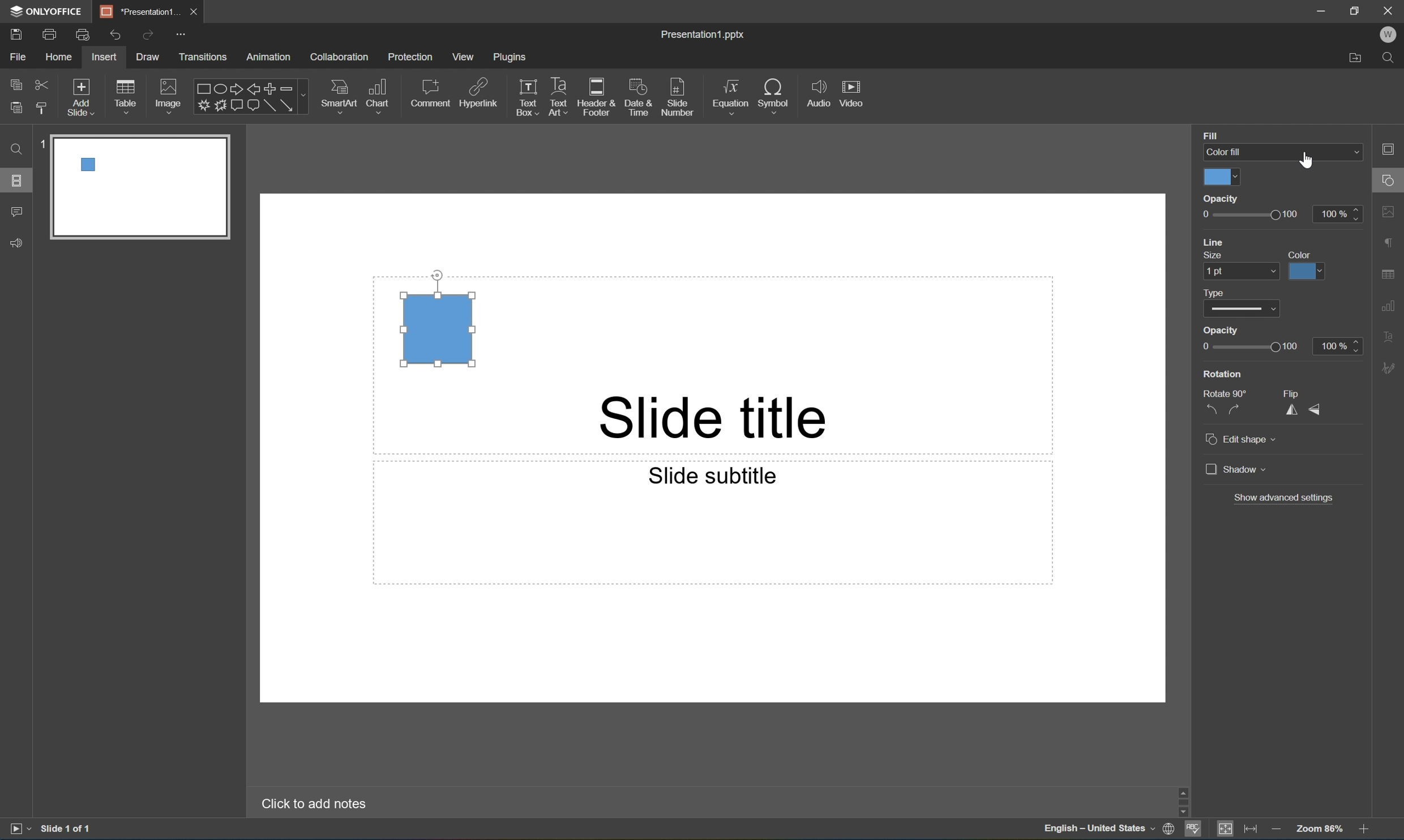 Image resolution: width=1404 pixels, height=840 pixels. Describe the element at coordinates (444, 330) in the screenshot. I see `Rectangle` at that location.